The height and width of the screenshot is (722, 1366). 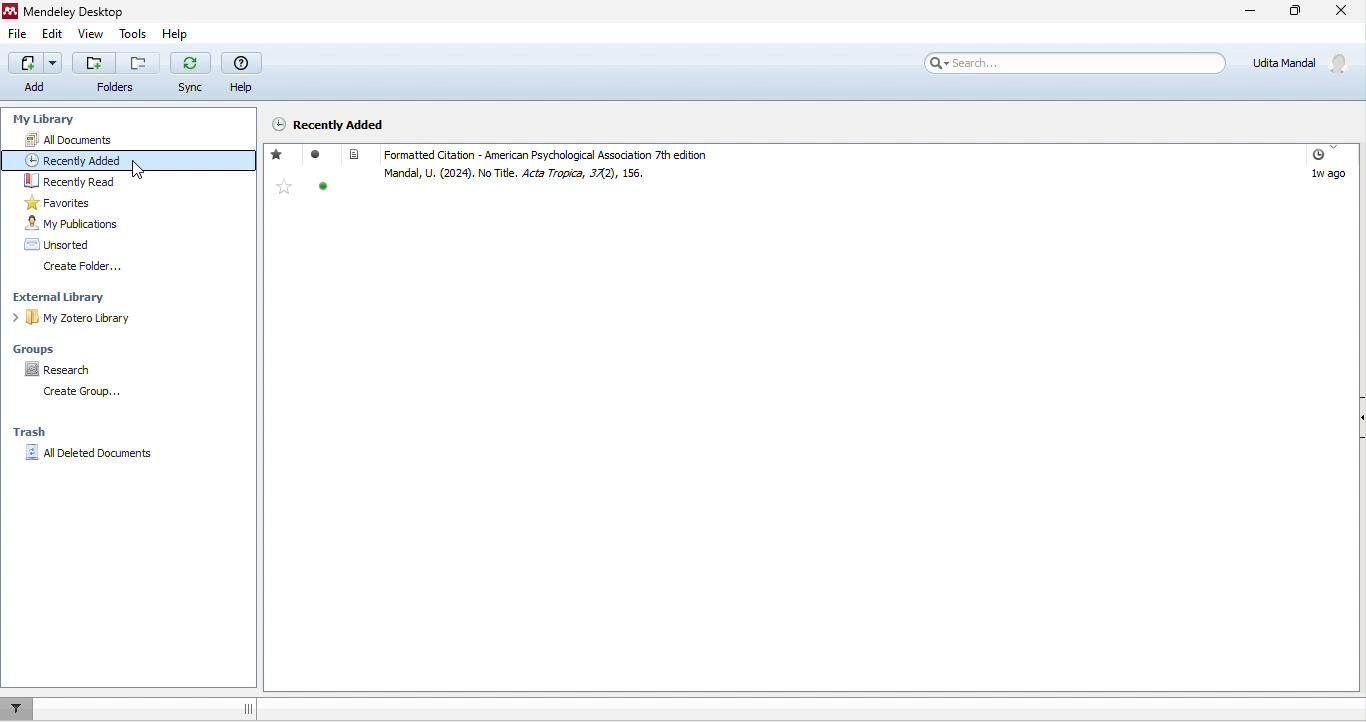 I want to click on edit, so click(x=52, y=34).